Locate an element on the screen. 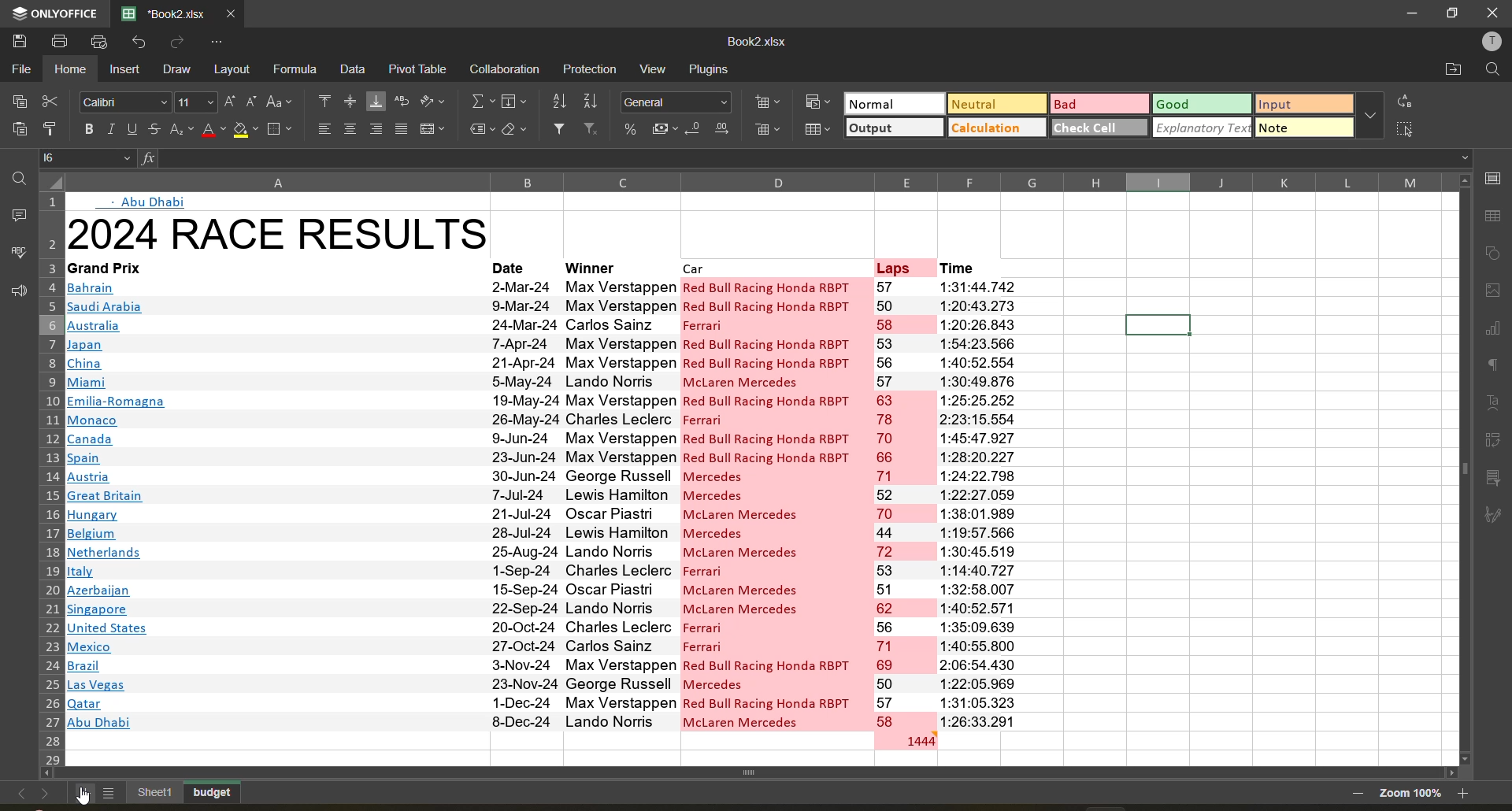 The image size is (1512, 811). summation is located at coordinates (481, 102).